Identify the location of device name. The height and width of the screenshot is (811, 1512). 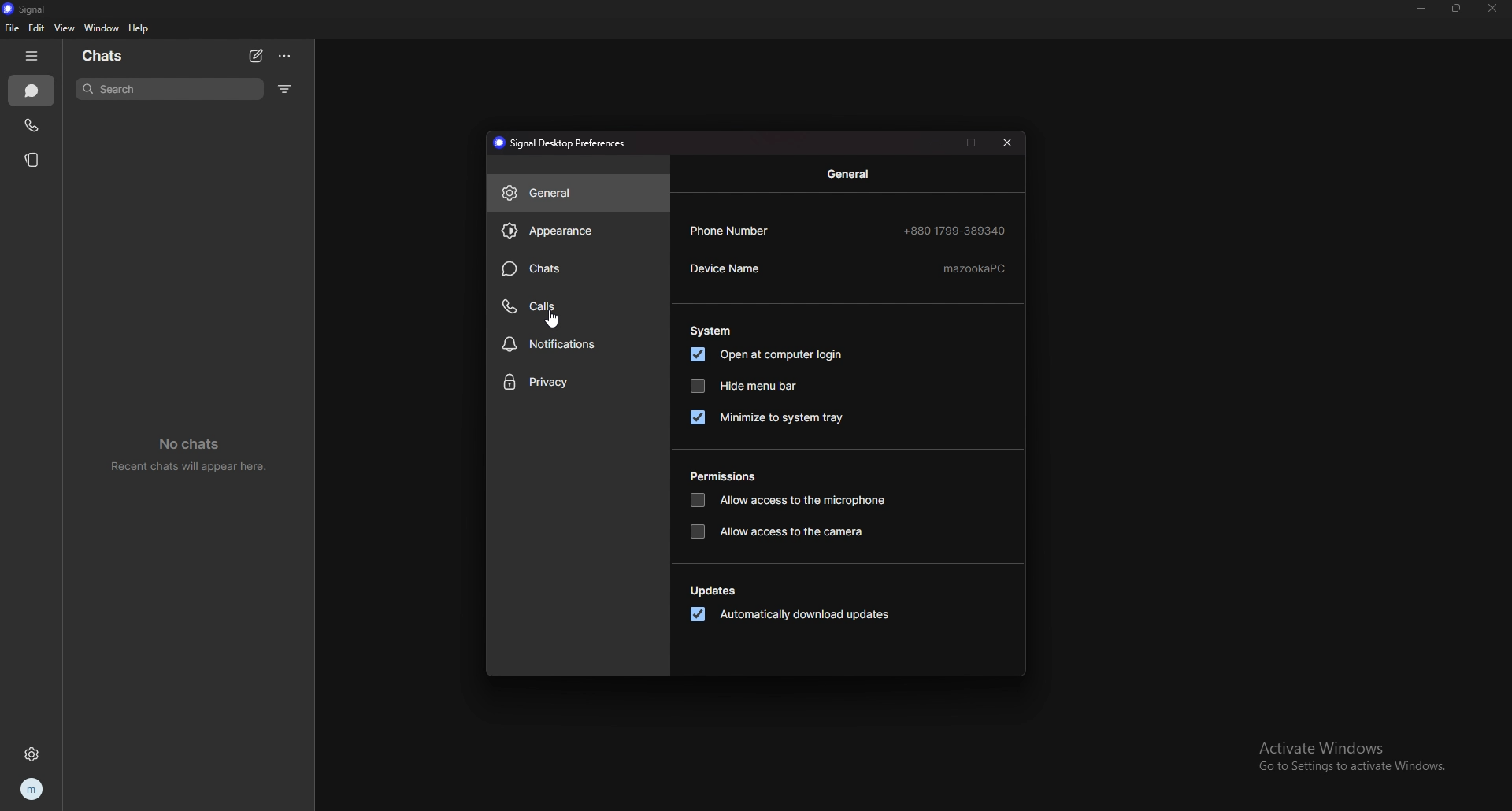
(846, 268).